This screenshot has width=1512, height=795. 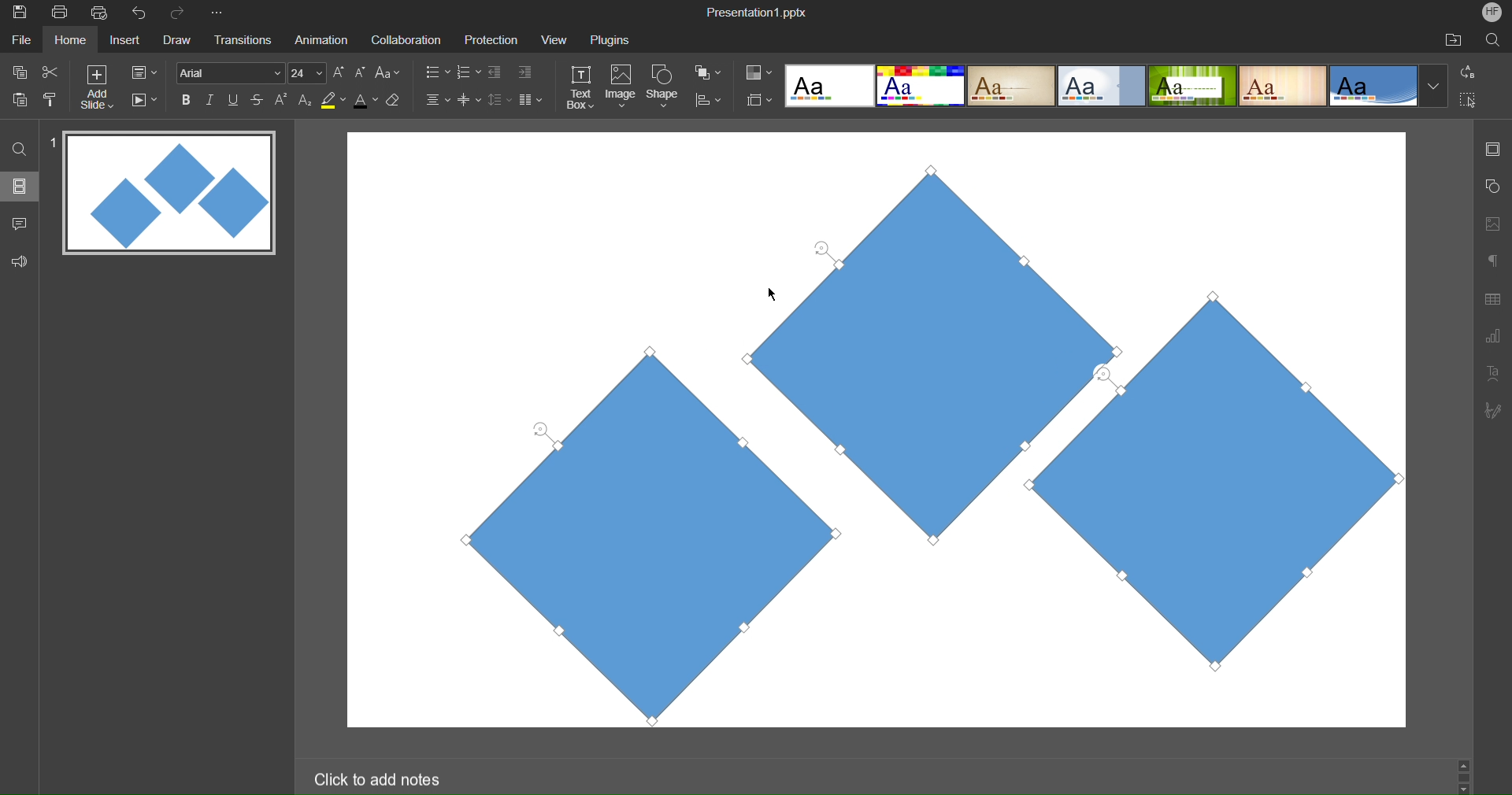 What do you see at coordinates (1492, 338) in the screenshot?
I see `Graph` at bounding box center [1492, 338].